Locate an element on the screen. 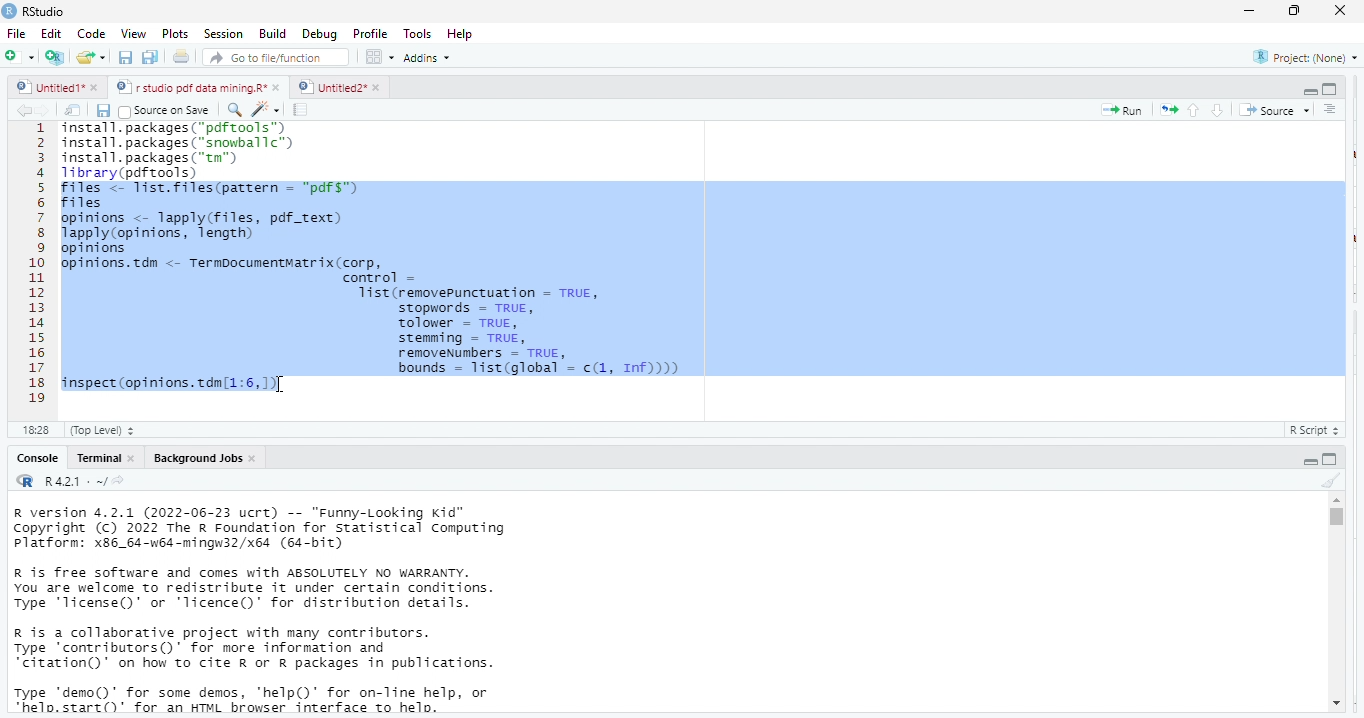 This screenshot has height=718, width=1364. addins is located at coordinates (432, 57).